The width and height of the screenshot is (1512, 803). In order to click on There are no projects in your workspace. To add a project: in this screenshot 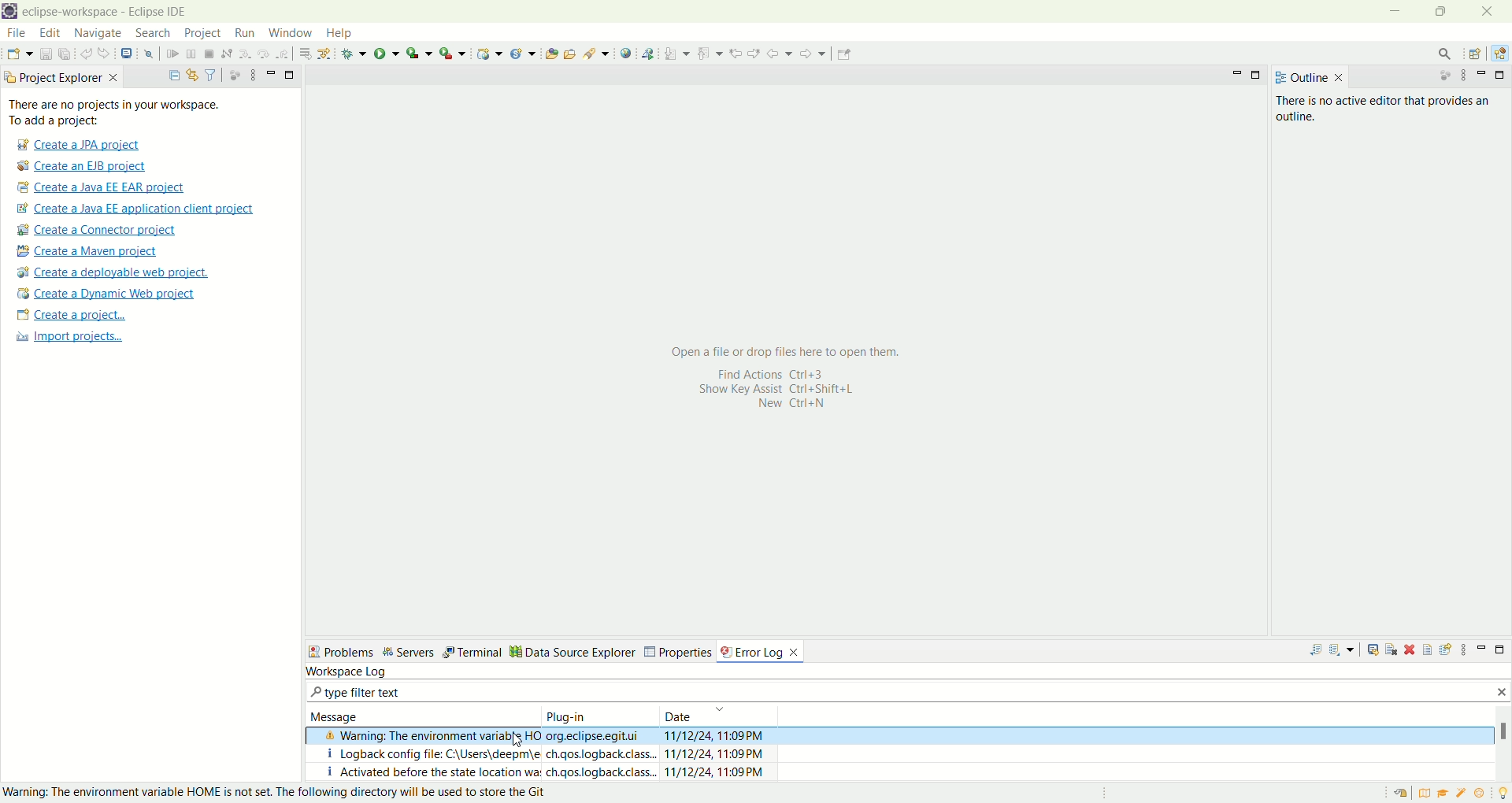, I will do `click(144, 113)`.